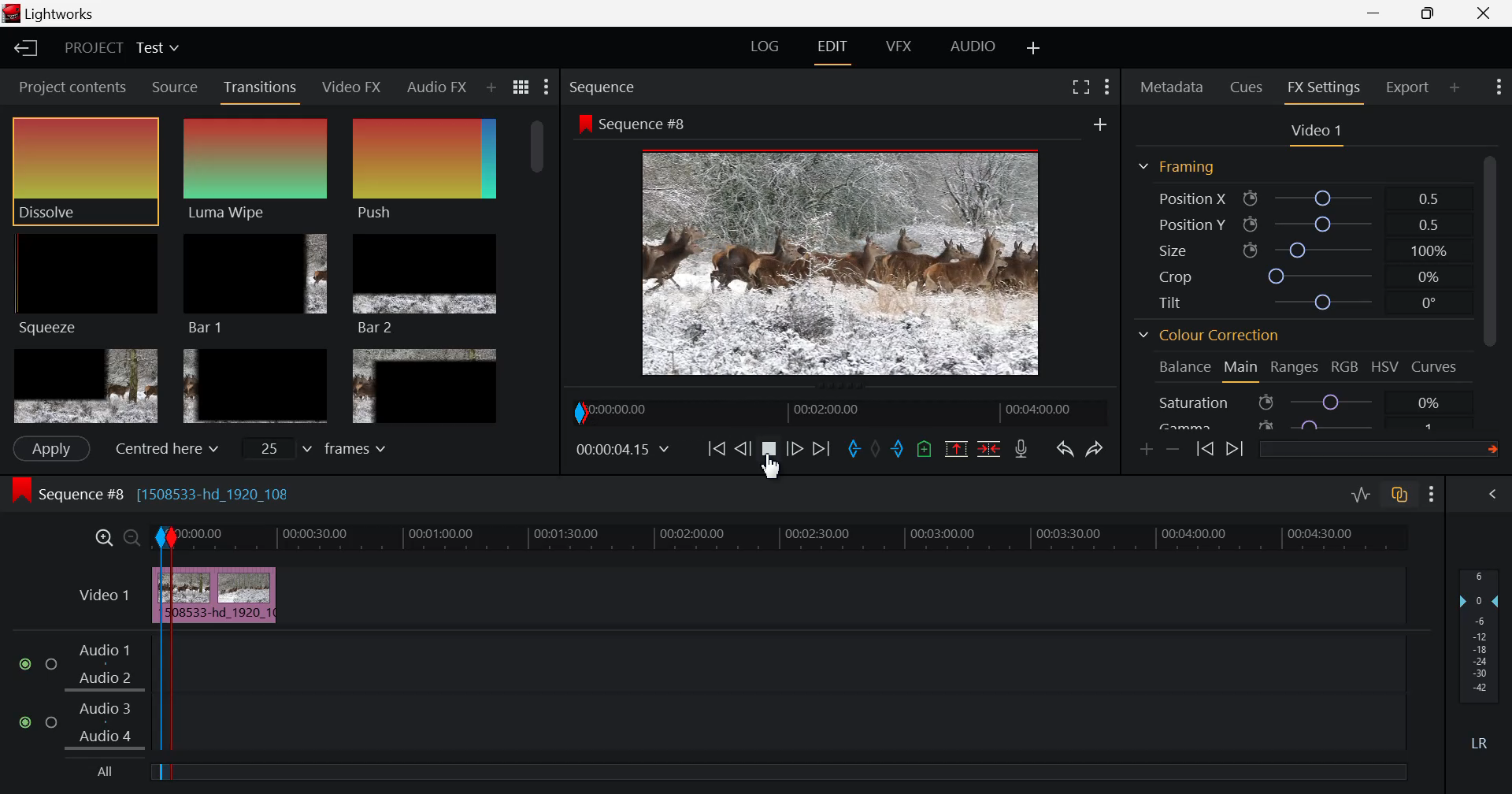 This screenshot has width=1512, height=794. Describe the element at coordinates (821, 536) in the screenshot. I see `Project Timeline` at that location.